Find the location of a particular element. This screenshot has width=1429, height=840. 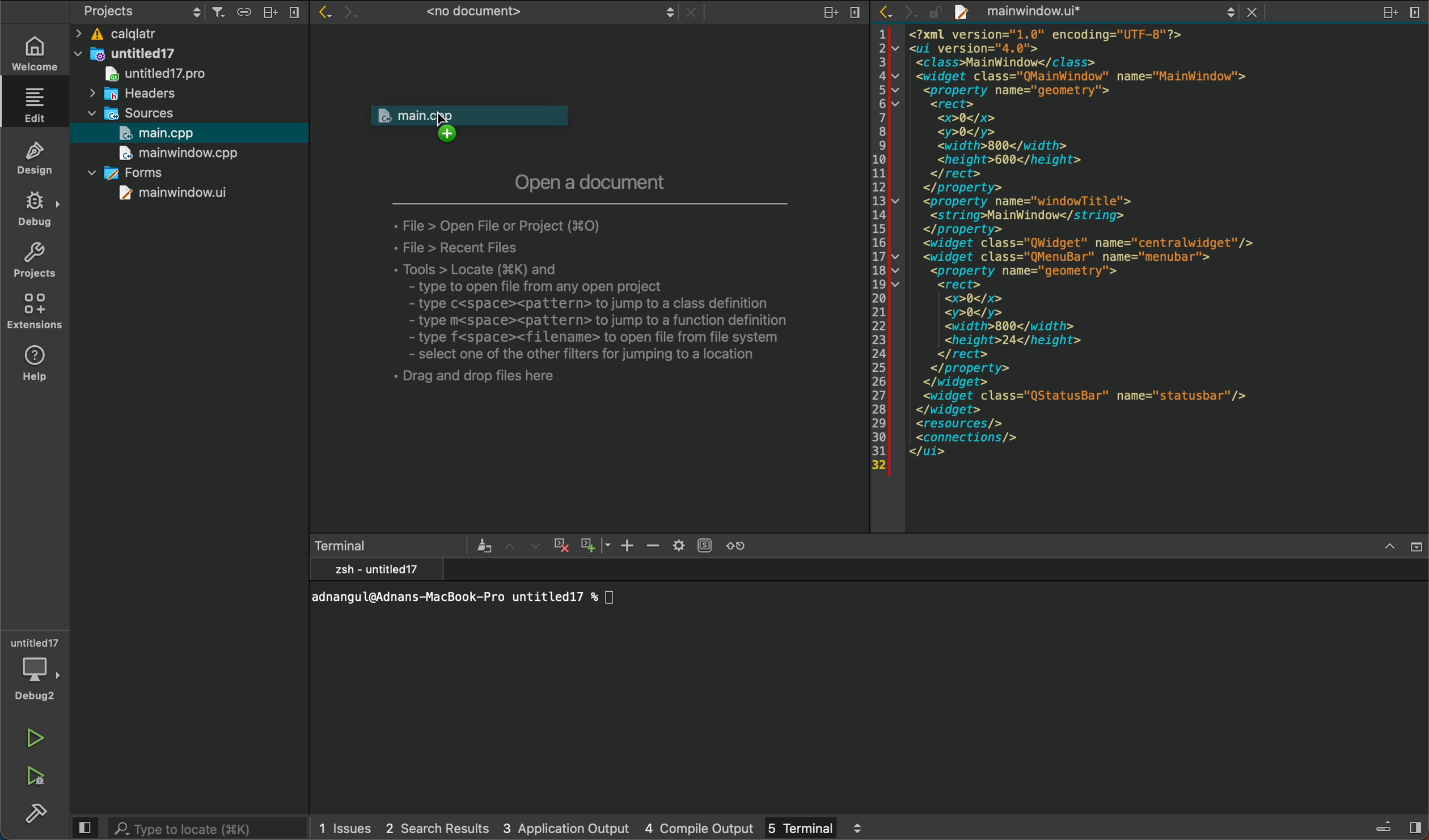

search is located at coordinates (210, 828).